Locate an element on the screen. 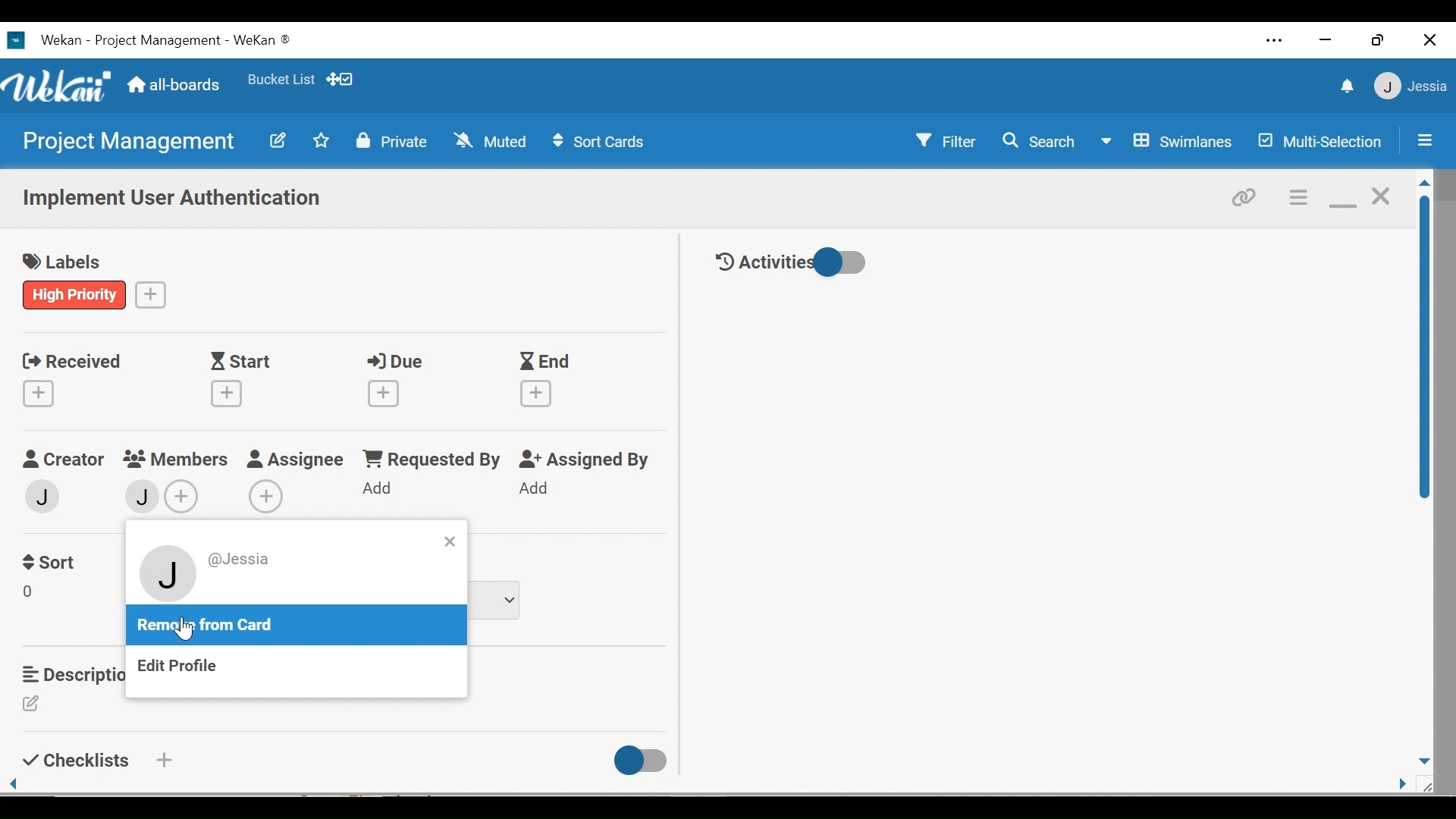  toggle Activities is located at coordinates (795, 262).